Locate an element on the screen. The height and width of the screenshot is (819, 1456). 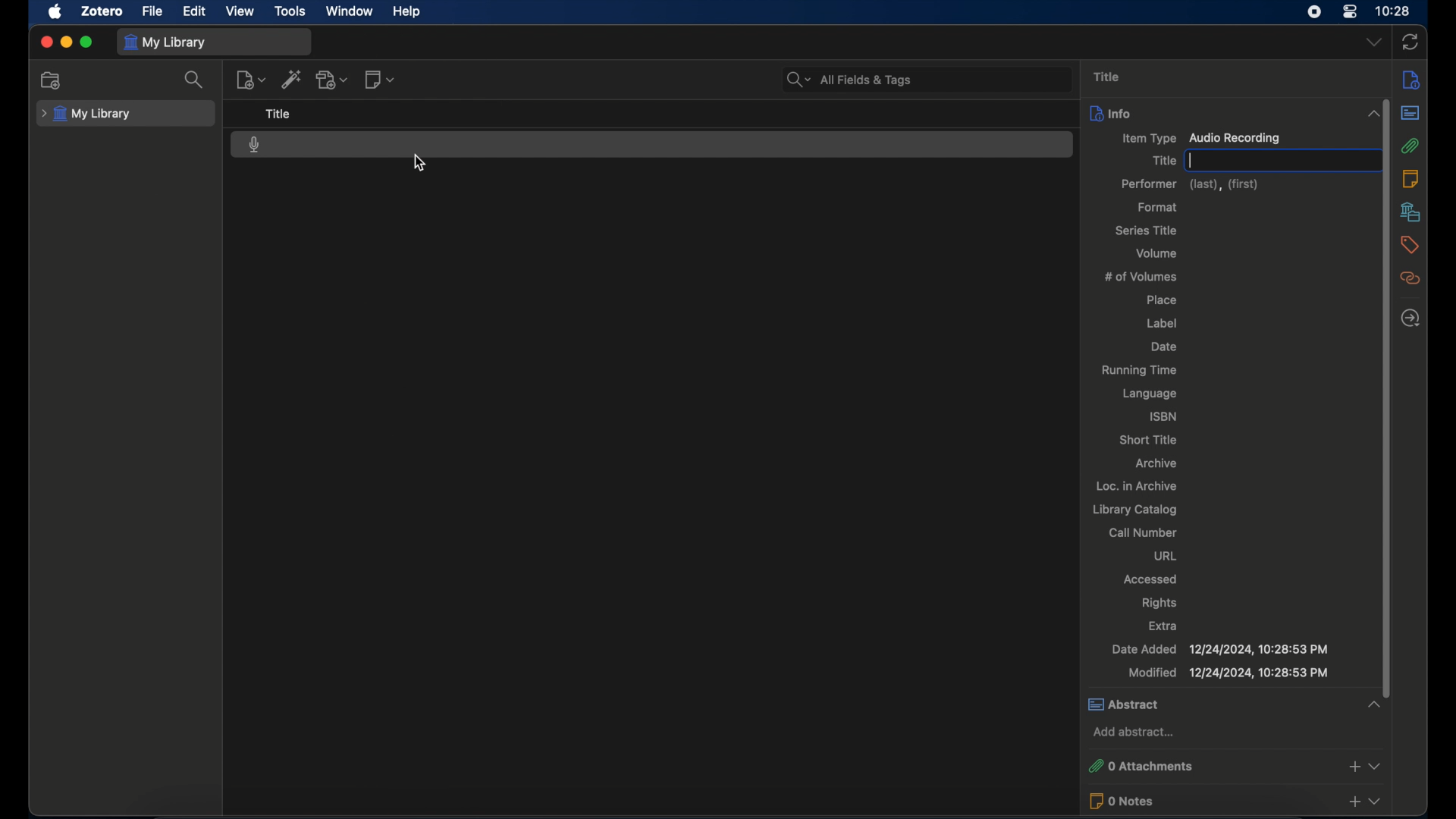
title is located at coordinates (1162, 161).